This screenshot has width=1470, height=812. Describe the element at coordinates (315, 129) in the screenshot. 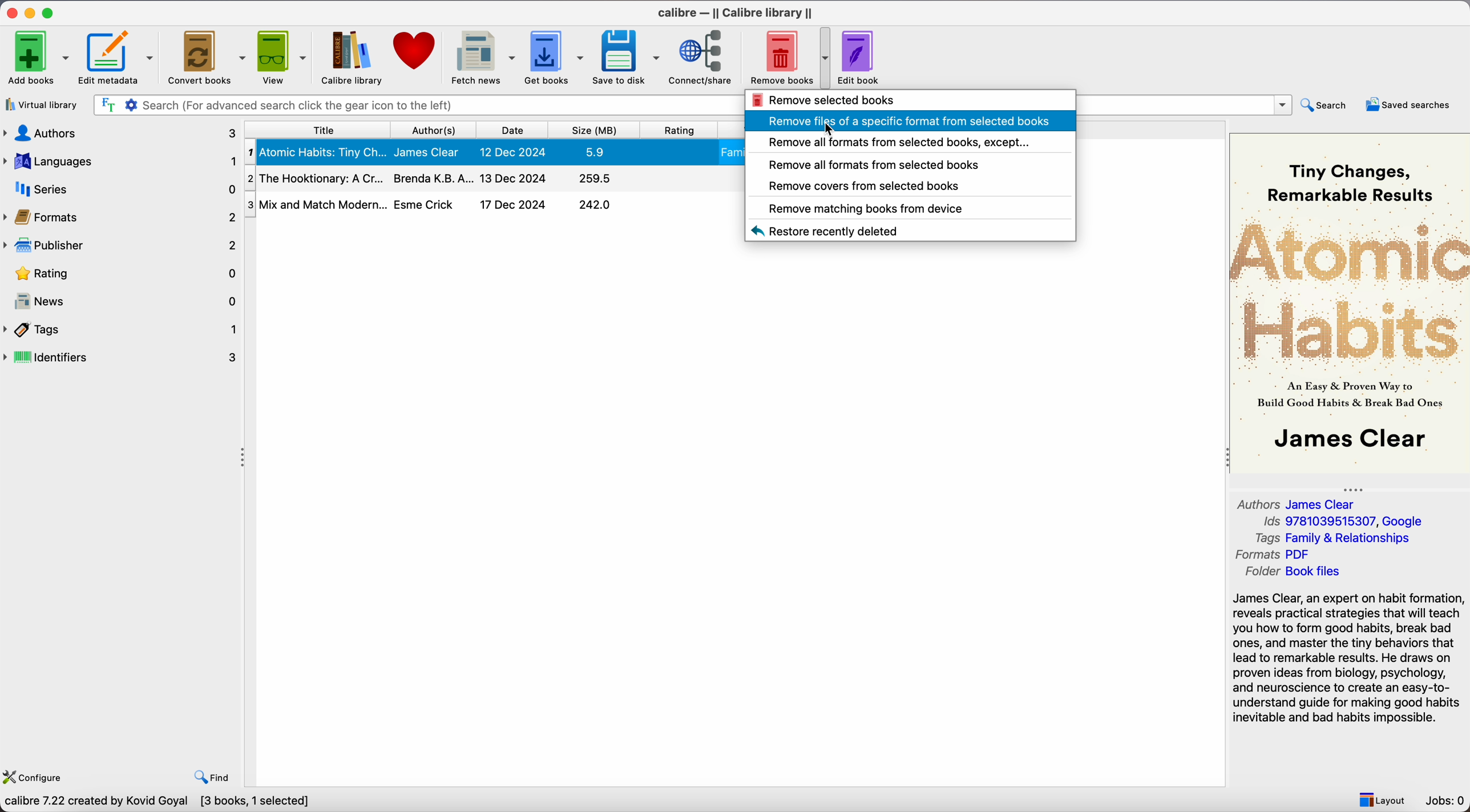

I see `title` at that location.